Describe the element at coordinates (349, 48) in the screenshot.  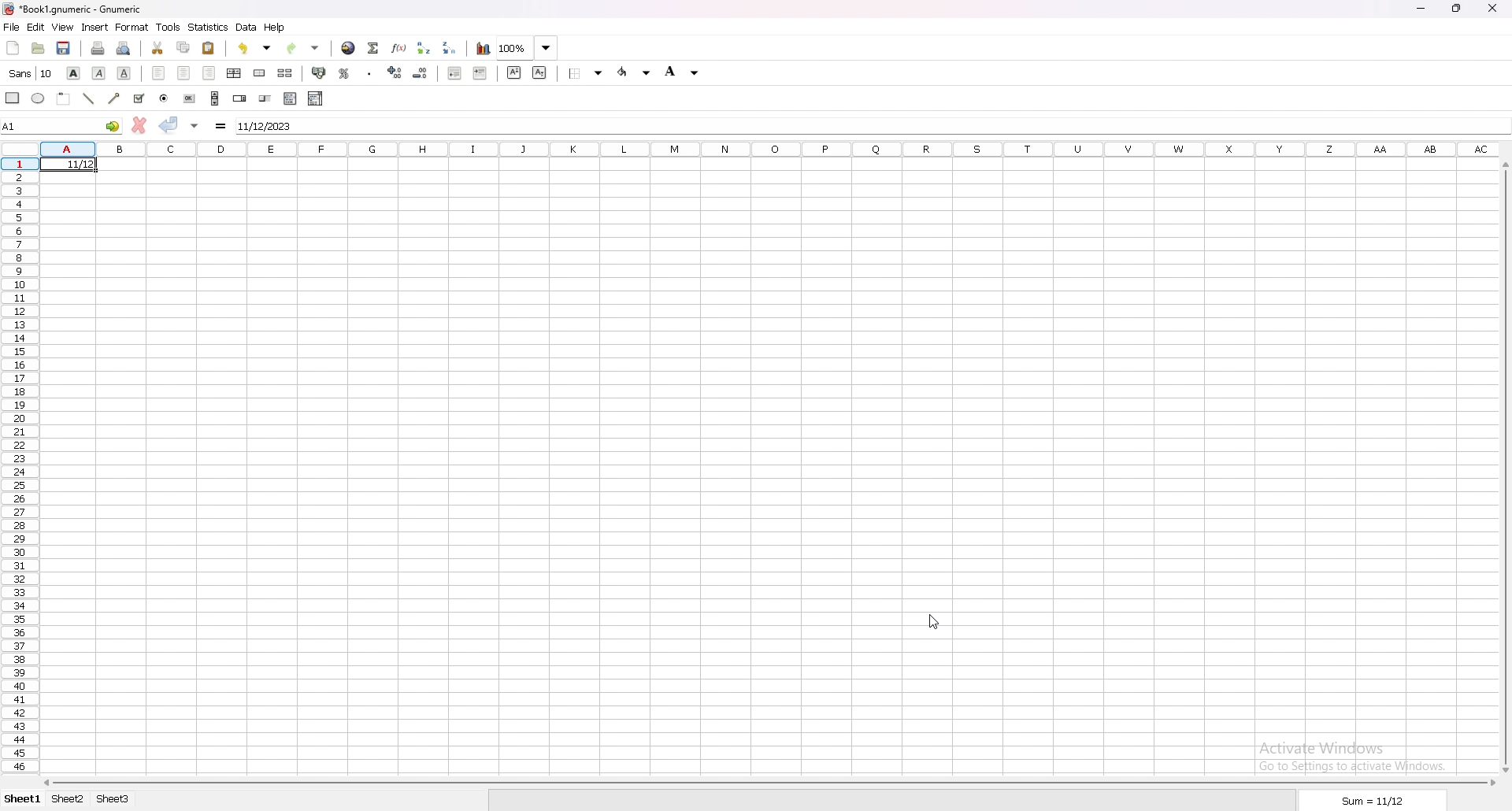
I see `hyperlink` at that location.